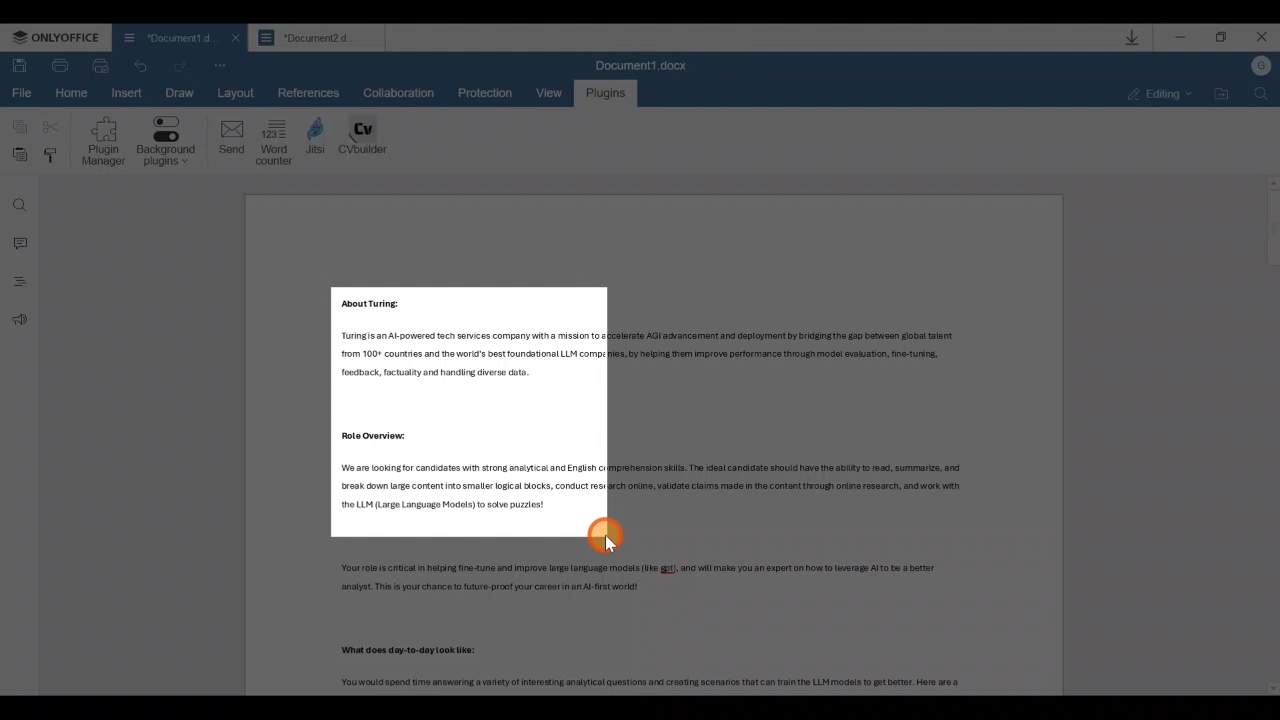 The width and height of the screenshot is (1280, 720). What do you see at coordinates (318, 40) in the screenshot?
I see `Document2 d...` at bounding box center [318, 40].